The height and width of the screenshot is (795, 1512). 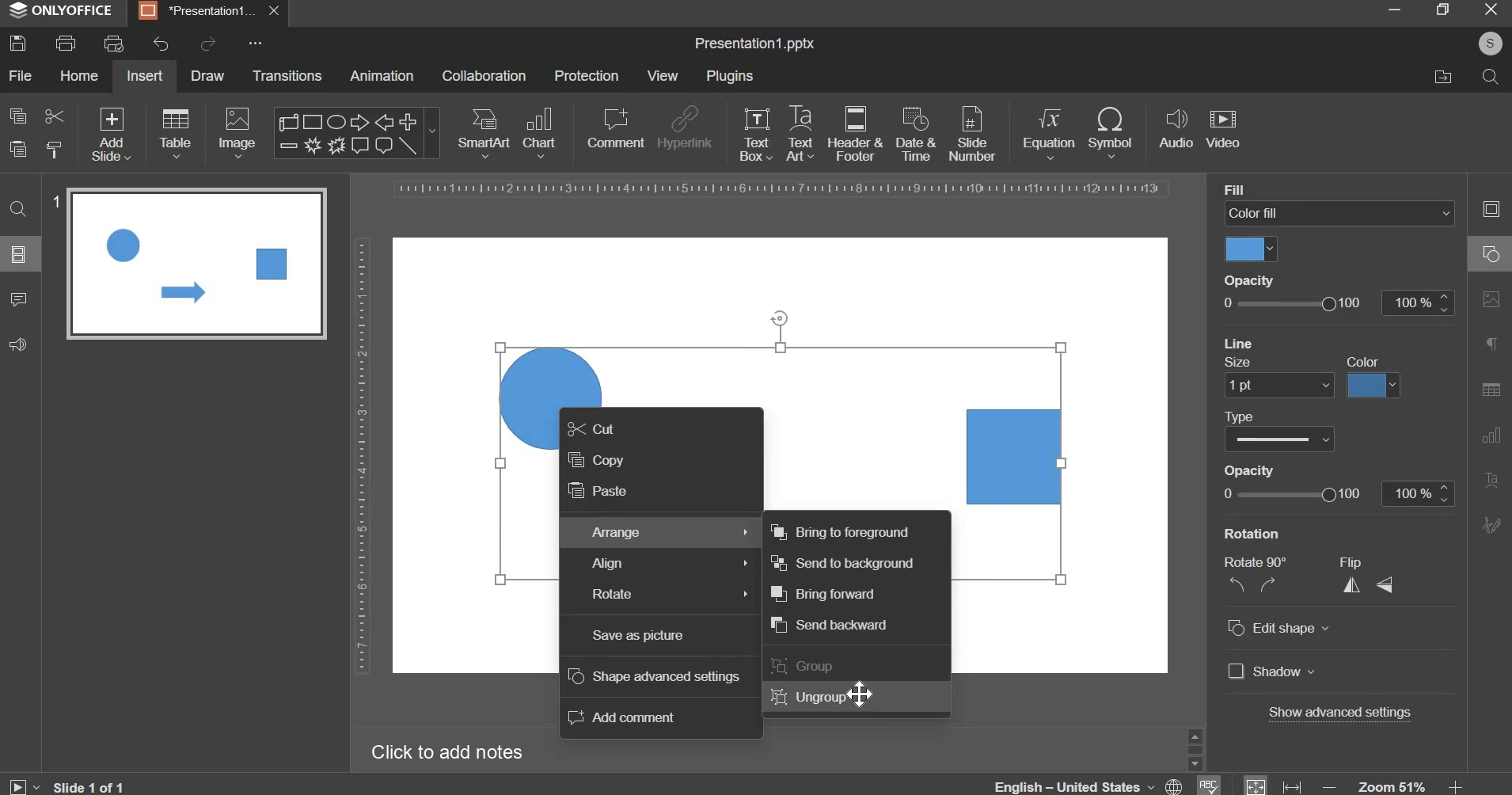 I want to click on chart, so click(x=541, y=131).